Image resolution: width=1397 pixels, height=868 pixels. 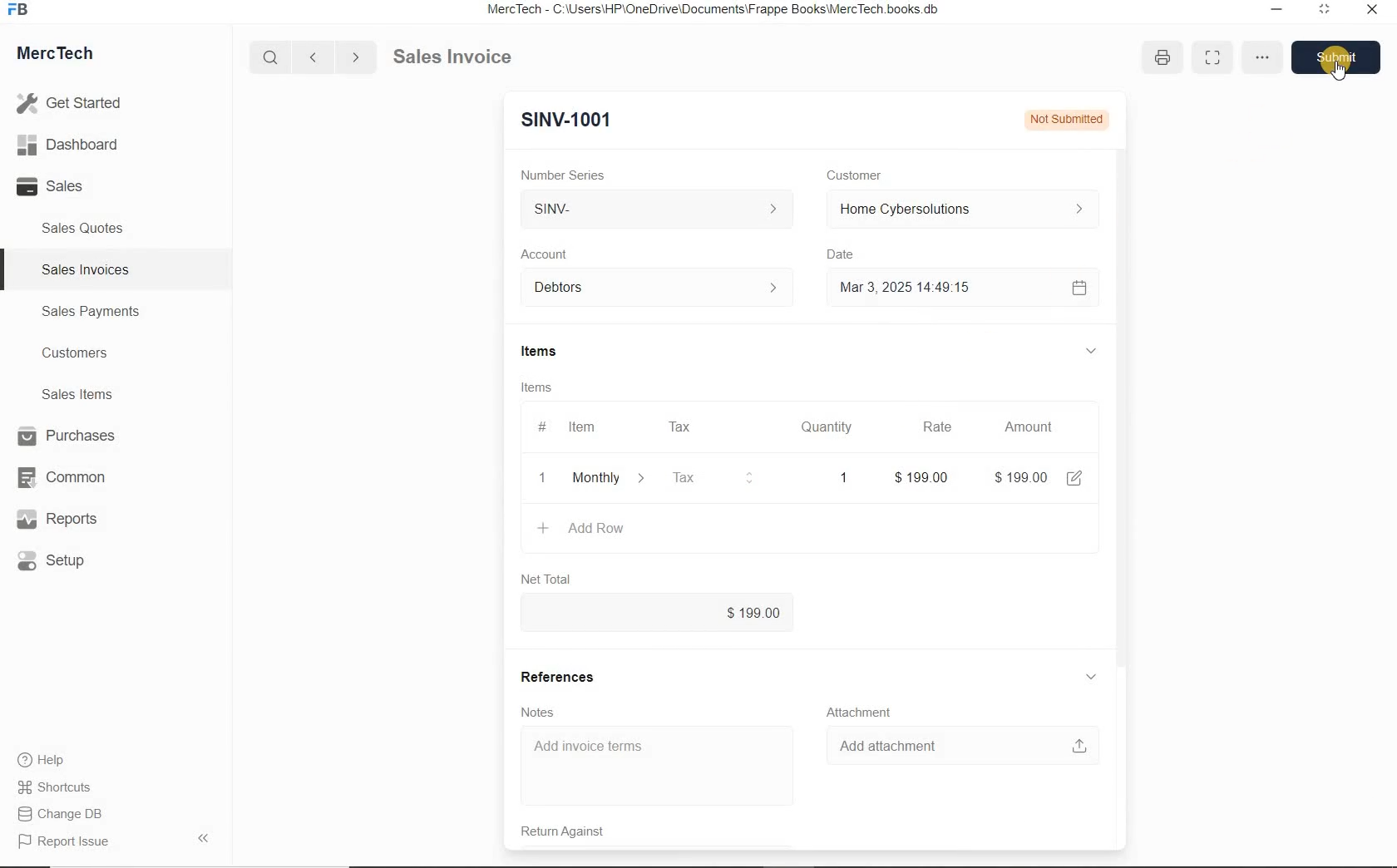 I want to click on Customer, so click(x=865, y=175).